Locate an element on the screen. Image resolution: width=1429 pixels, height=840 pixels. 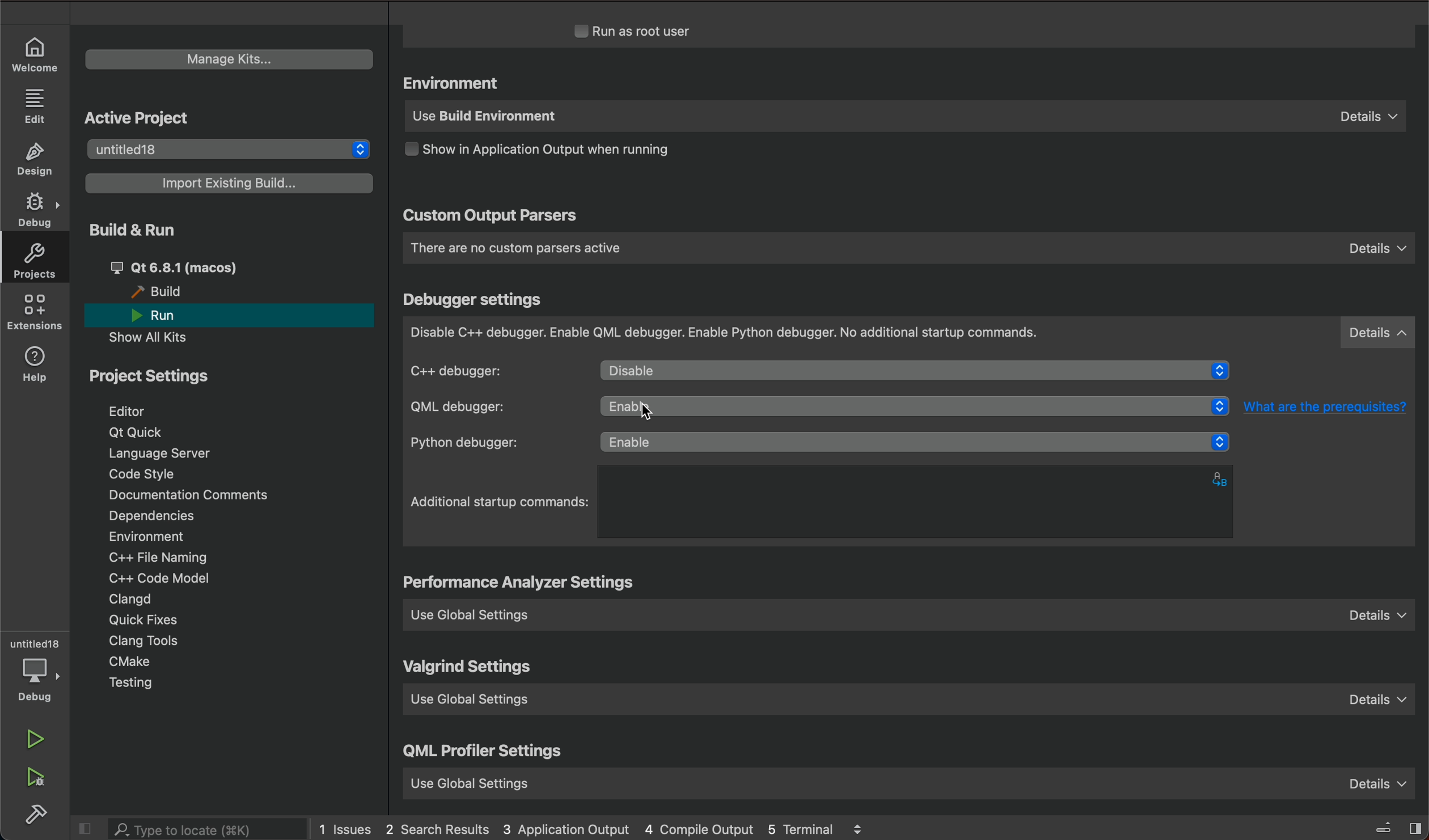
run debug is located at coordinates (38, 778).